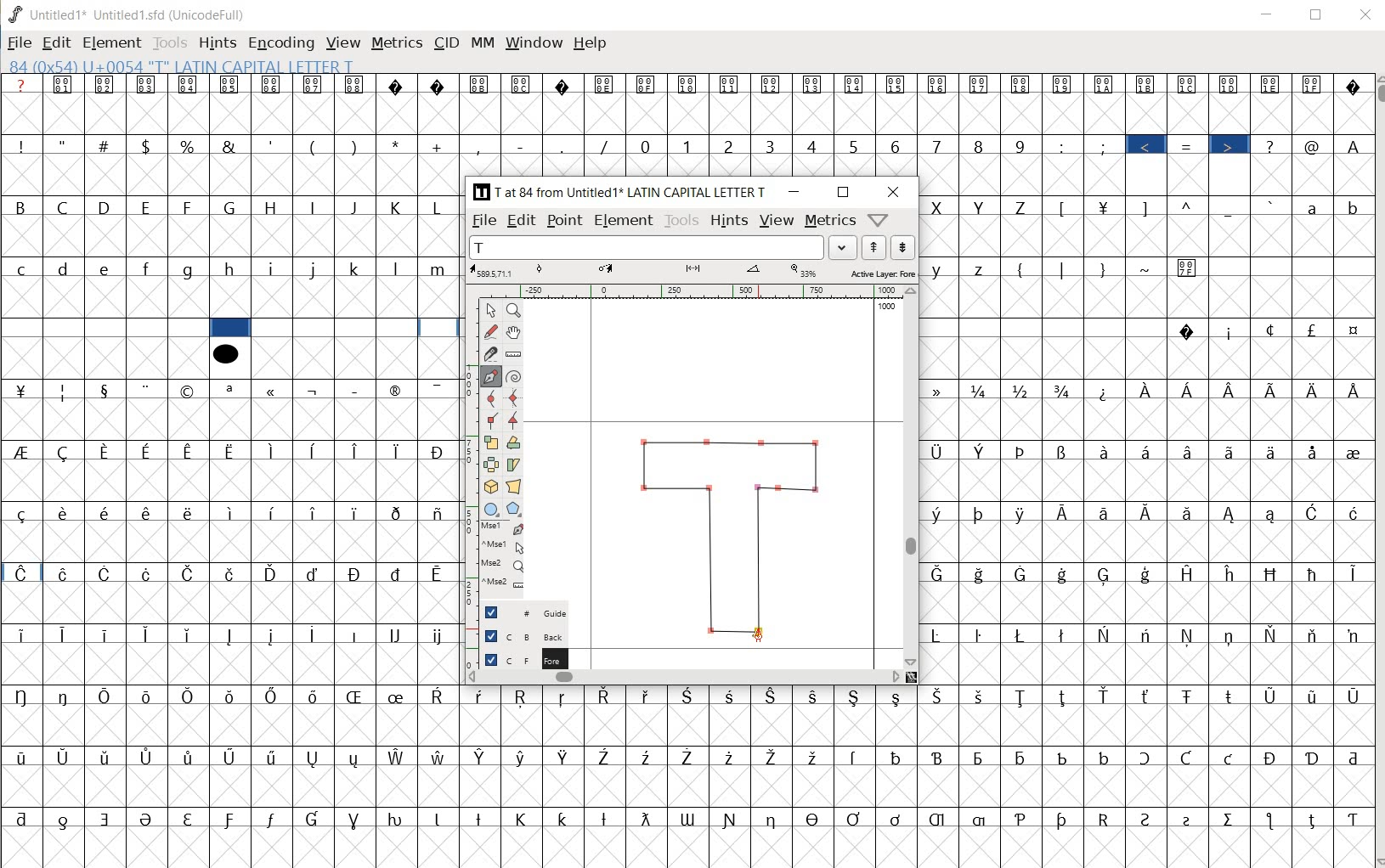 This screenshot has width=1385, height=868. Describe the element at coordinates (1149, 511) in the screenshot. I see `Symbol` at that location.